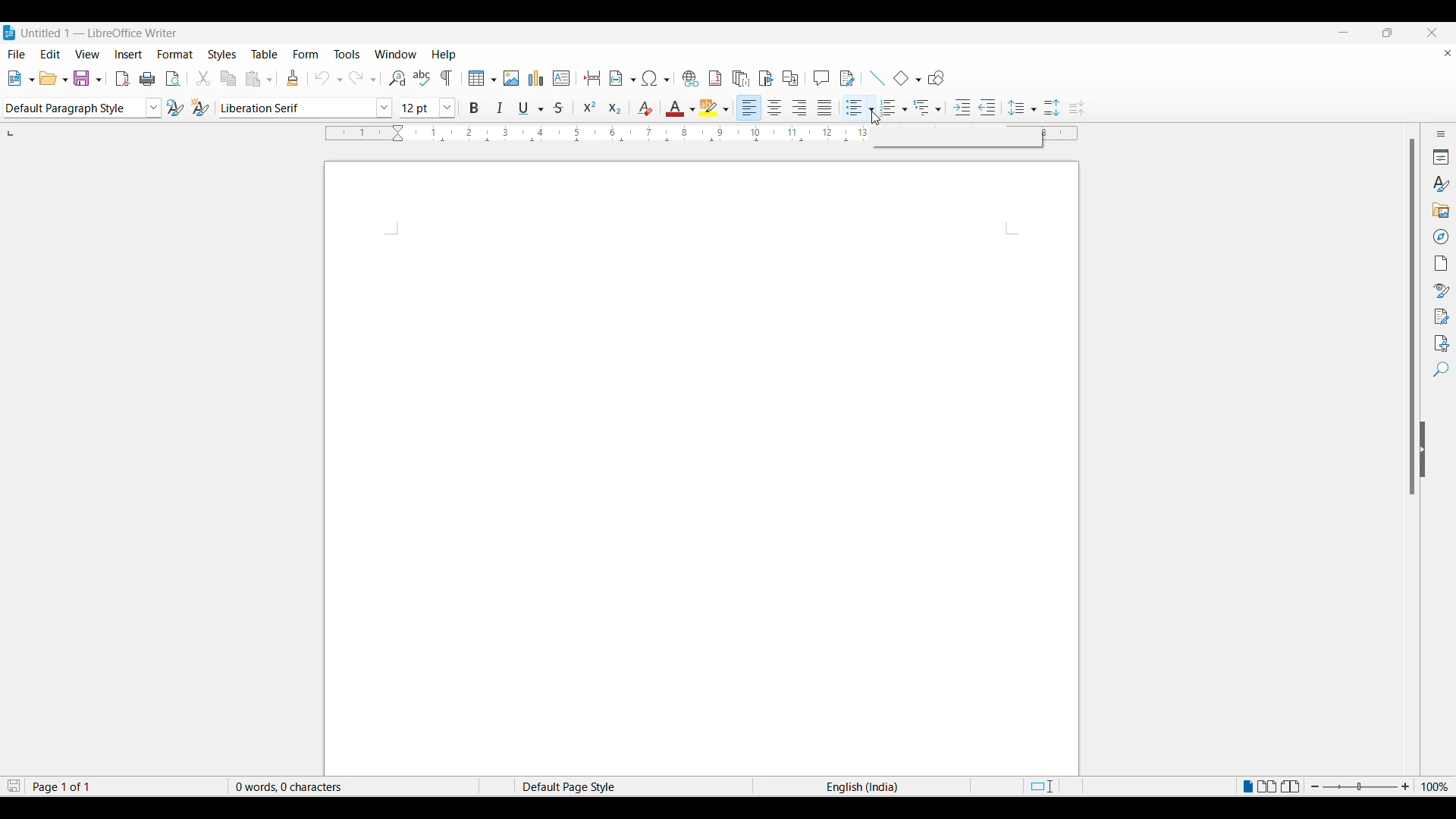 This screenshot has height=819, width=1456. What do you see at coordinates (13, 786) in the screenshot?
I see `Click to save modifications in document` at bounding box center [13, 786].